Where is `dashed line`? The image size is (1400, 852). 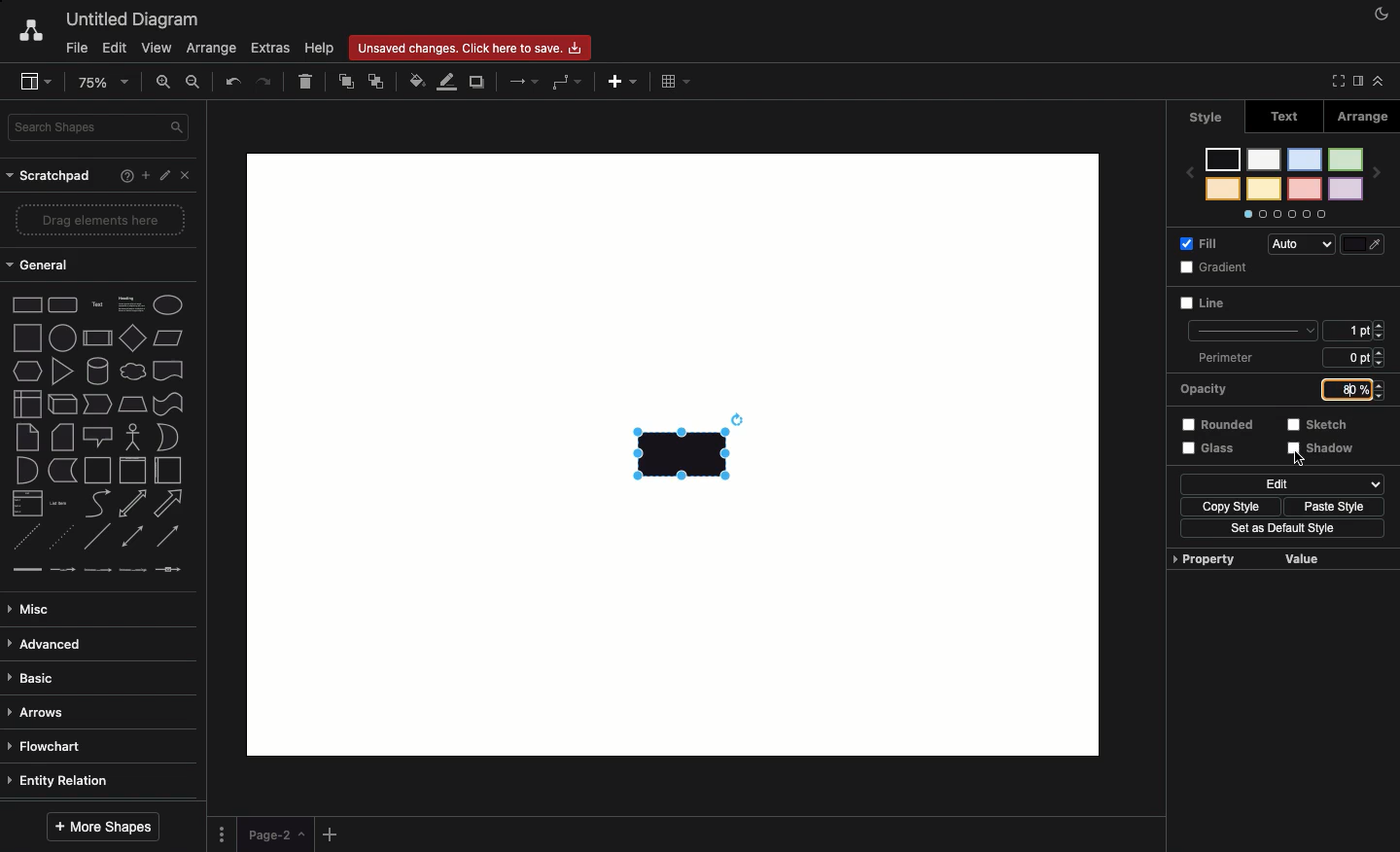
dashed line is located at coordinates (22, 536).